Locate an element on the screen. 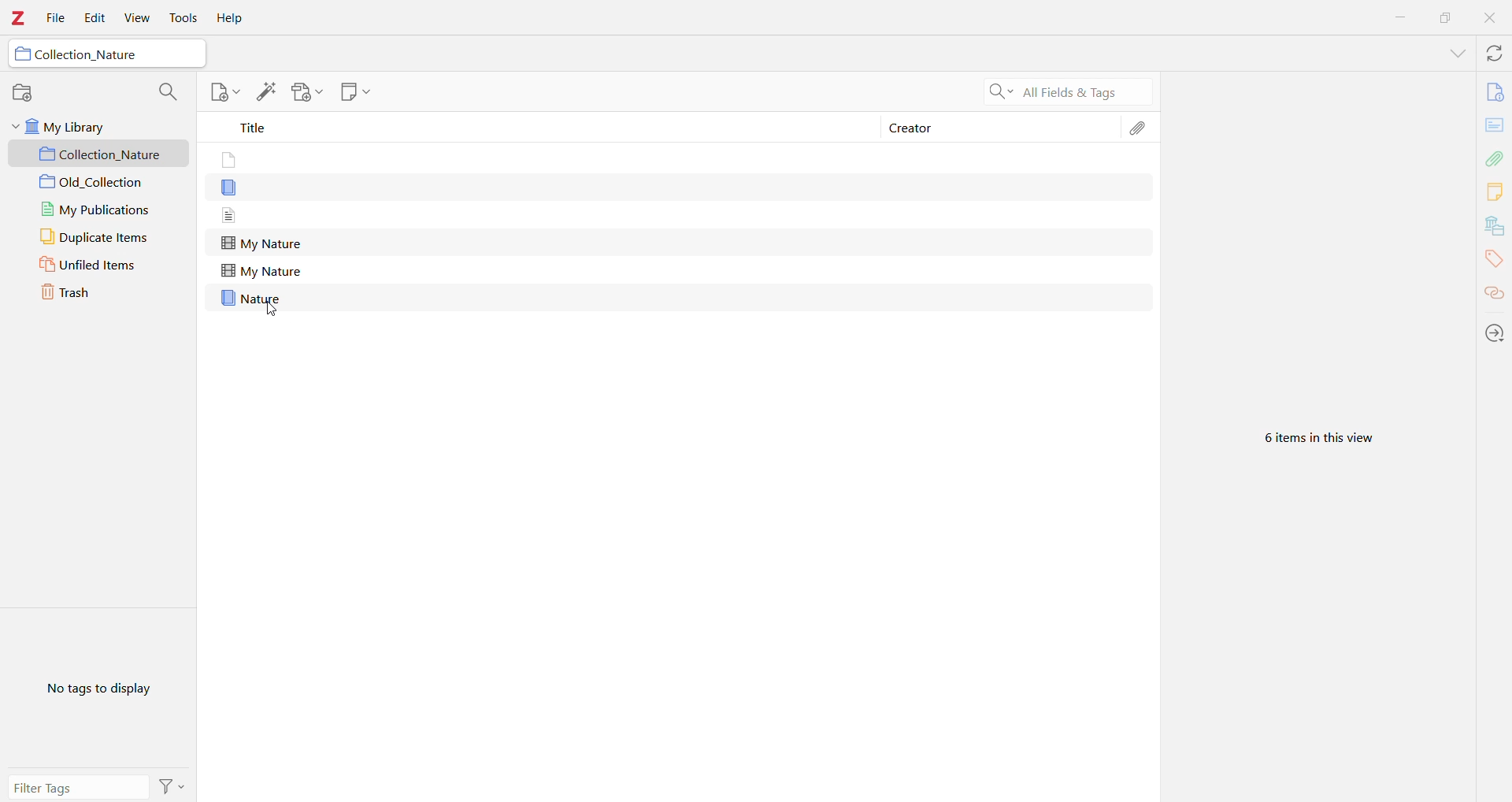  folder icon is located at coordinates (23, 54).